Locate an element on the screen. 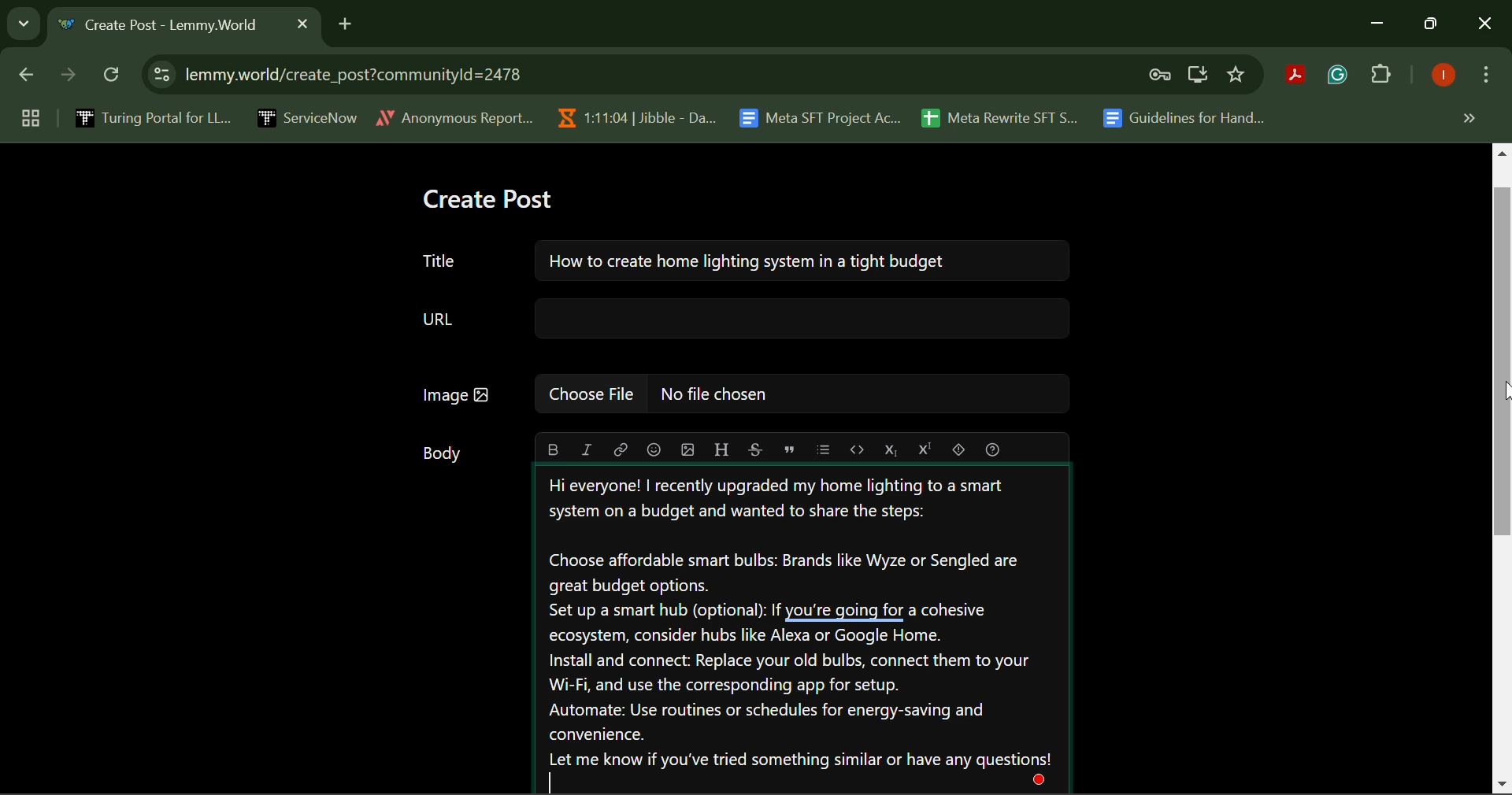  Cursor MOUSE_DOWN on Scroll Bar is located at coordinates (1503, 390).